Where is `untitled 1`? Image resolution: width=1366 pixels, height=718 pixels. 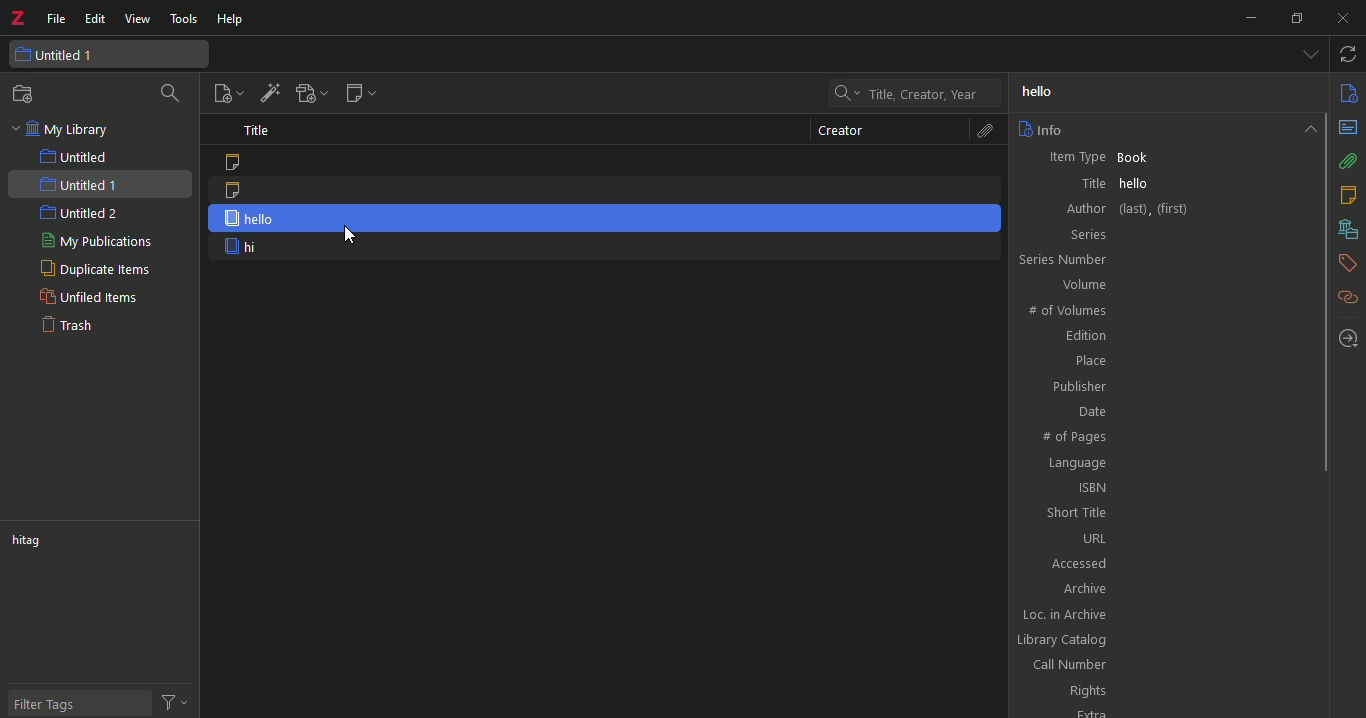
untitled 1 is located at coordinates (81, 184).